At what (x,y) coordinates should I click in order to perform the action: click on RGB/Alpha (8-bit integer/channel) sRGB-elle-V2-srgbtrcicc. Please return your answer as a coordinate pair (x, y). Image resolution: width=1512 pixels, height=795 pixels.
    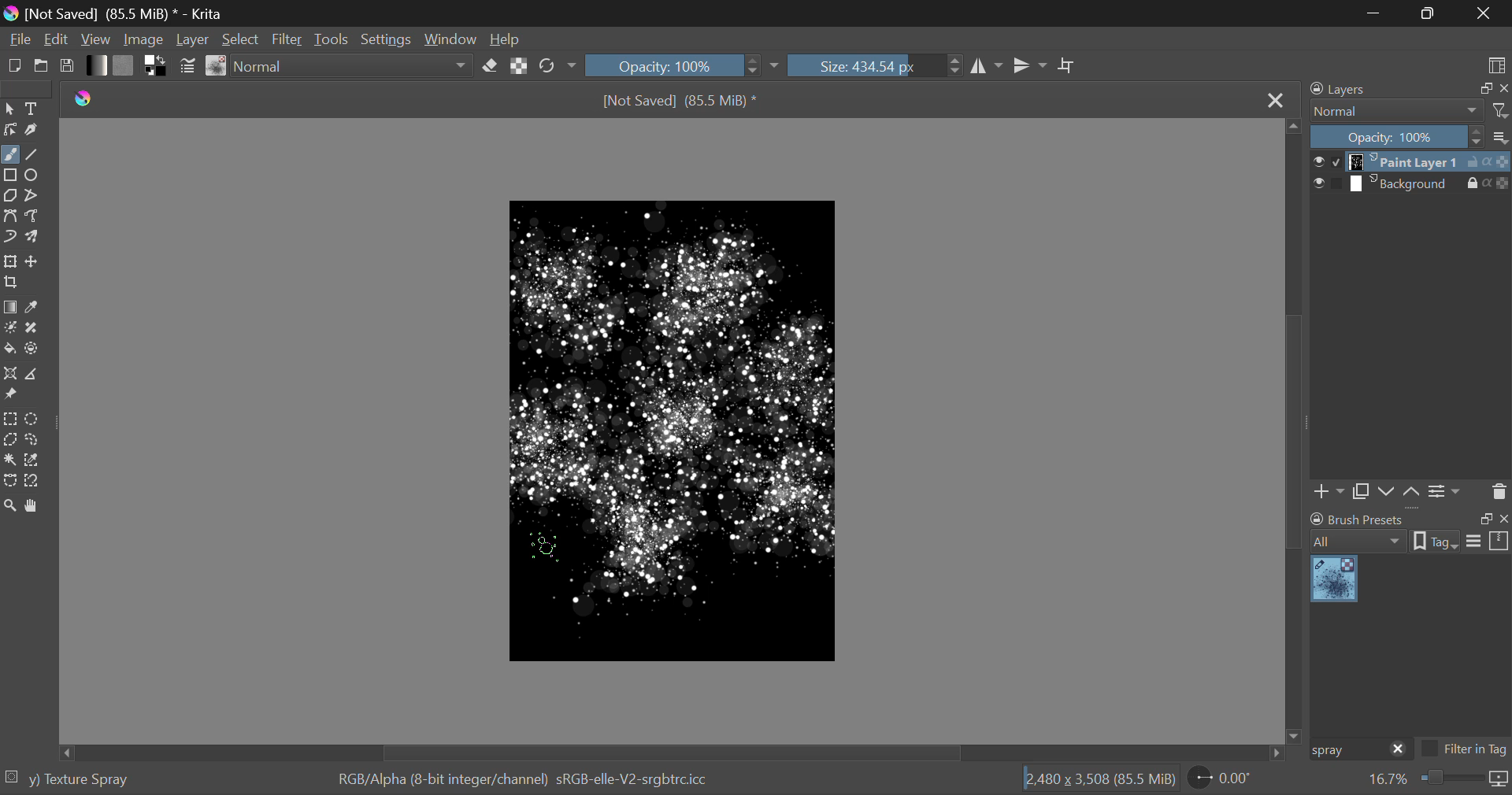
    Looking at the image, I should click on (524, 780).